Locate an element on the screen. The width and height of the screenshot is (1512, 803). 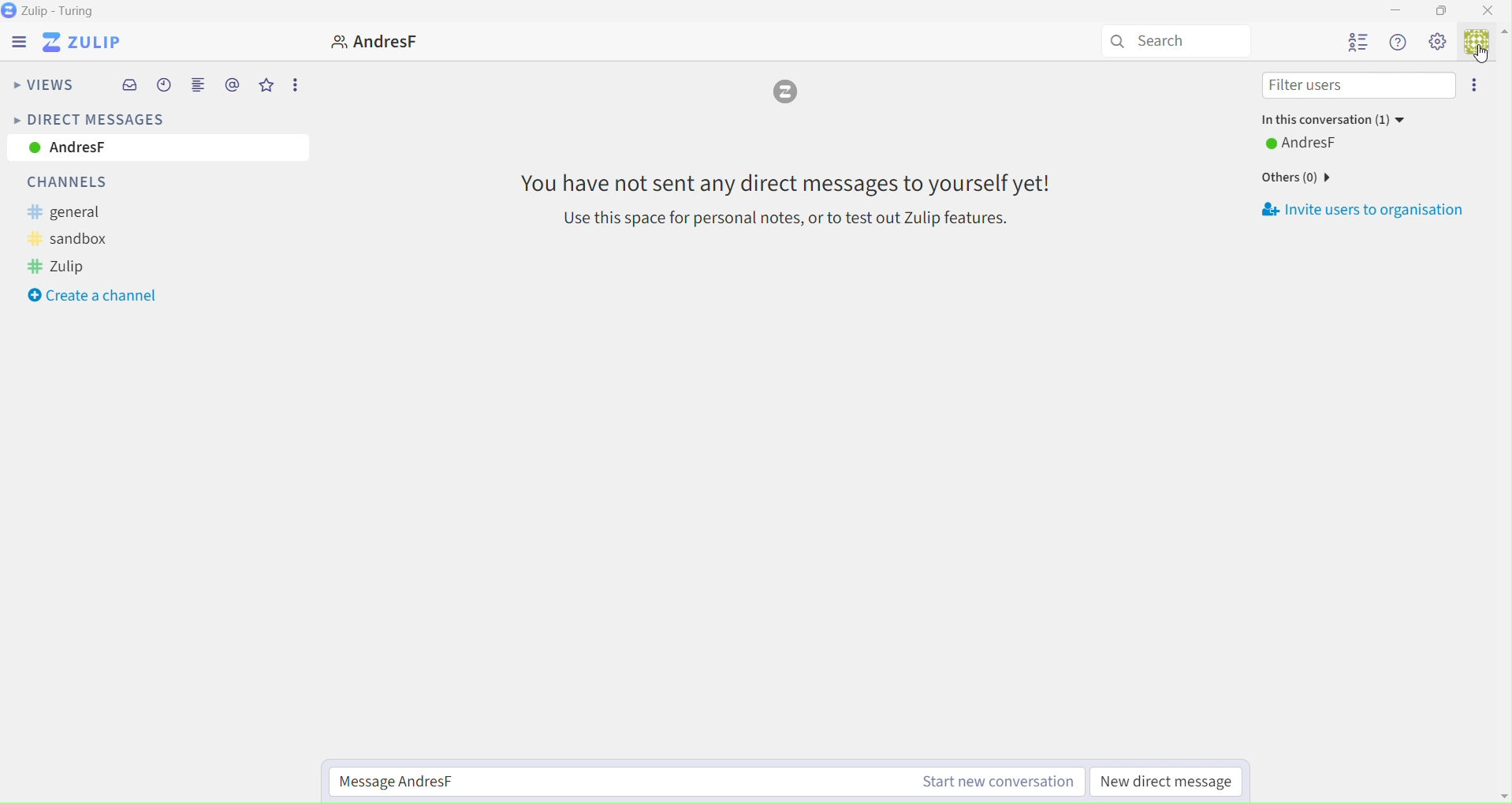
Mentions is located at coordinates (233, 85).